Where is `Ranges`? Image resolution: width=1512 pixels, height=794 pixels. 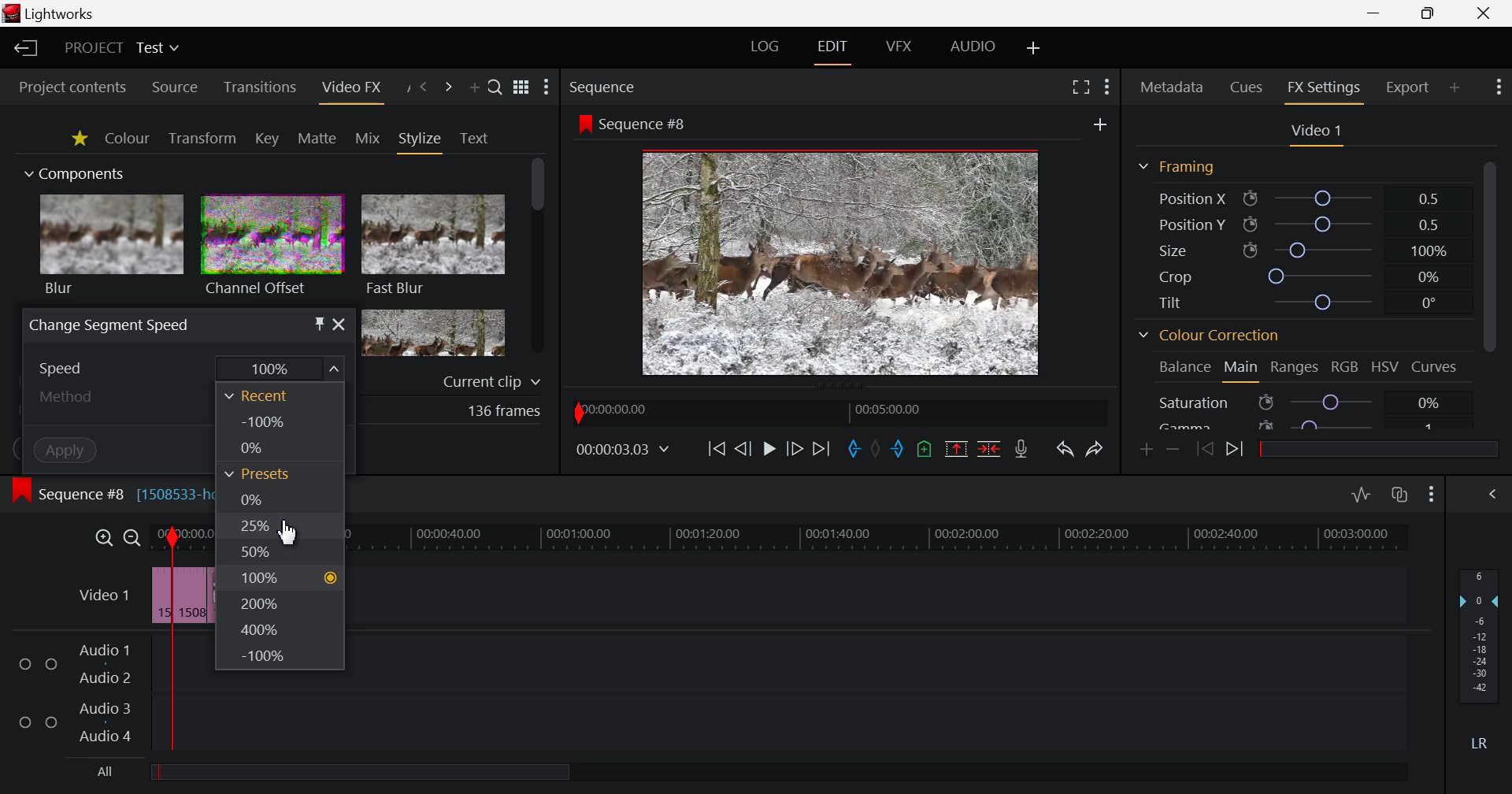
Ranges is located at coordinates (1296, 368).